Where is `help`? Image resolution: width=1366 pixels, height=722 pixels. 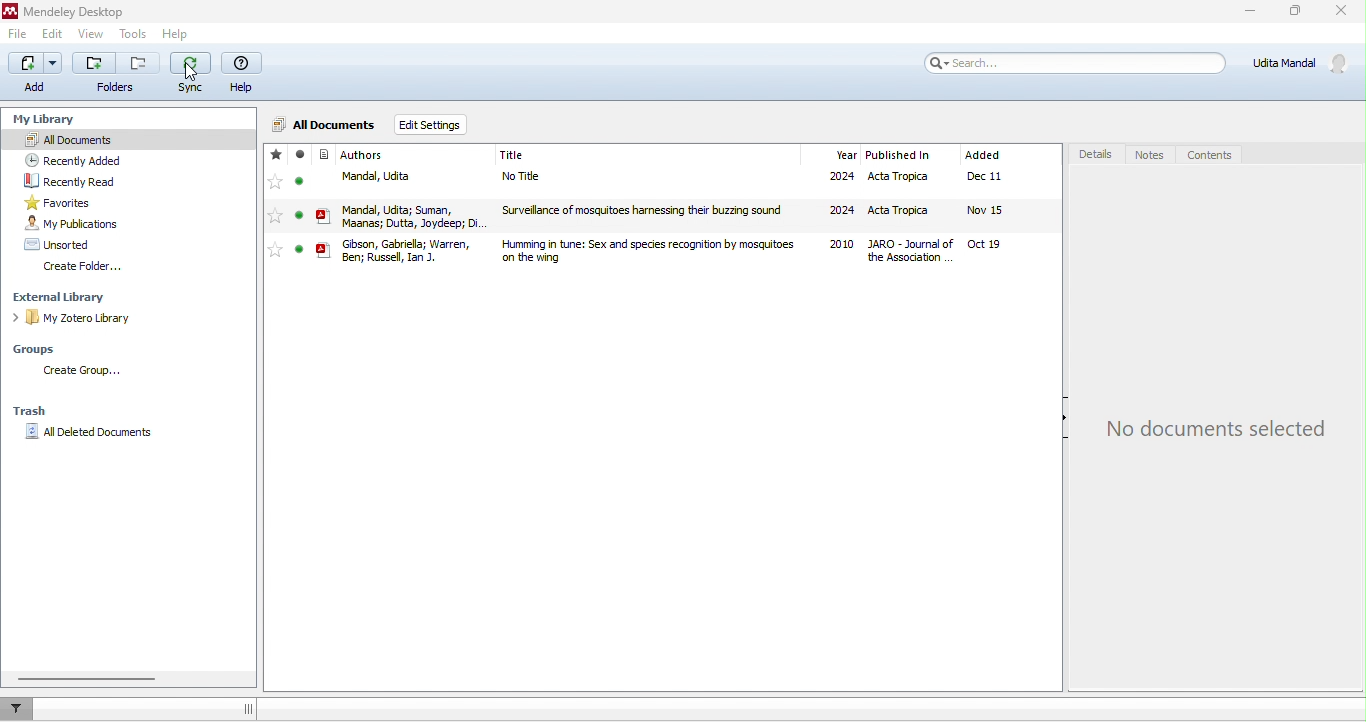 help is located at coordinates (177, 34).